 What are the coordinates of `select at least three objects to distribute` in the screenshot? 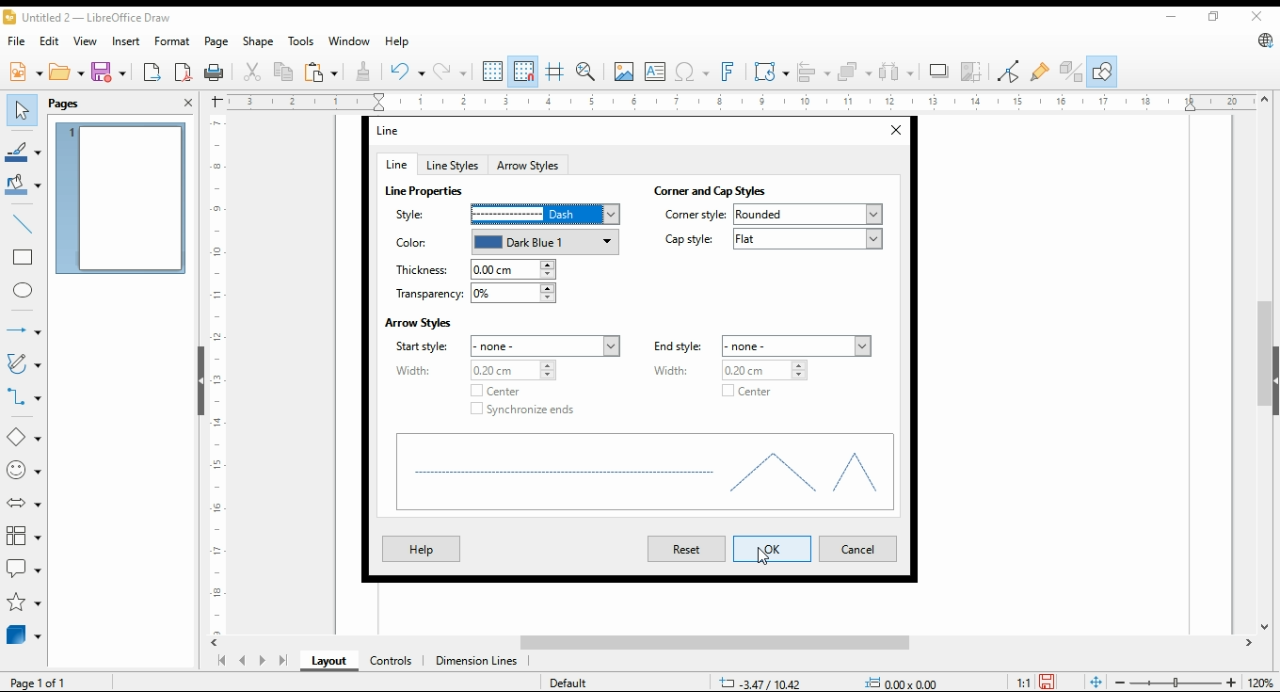 It's located at (896, 72).